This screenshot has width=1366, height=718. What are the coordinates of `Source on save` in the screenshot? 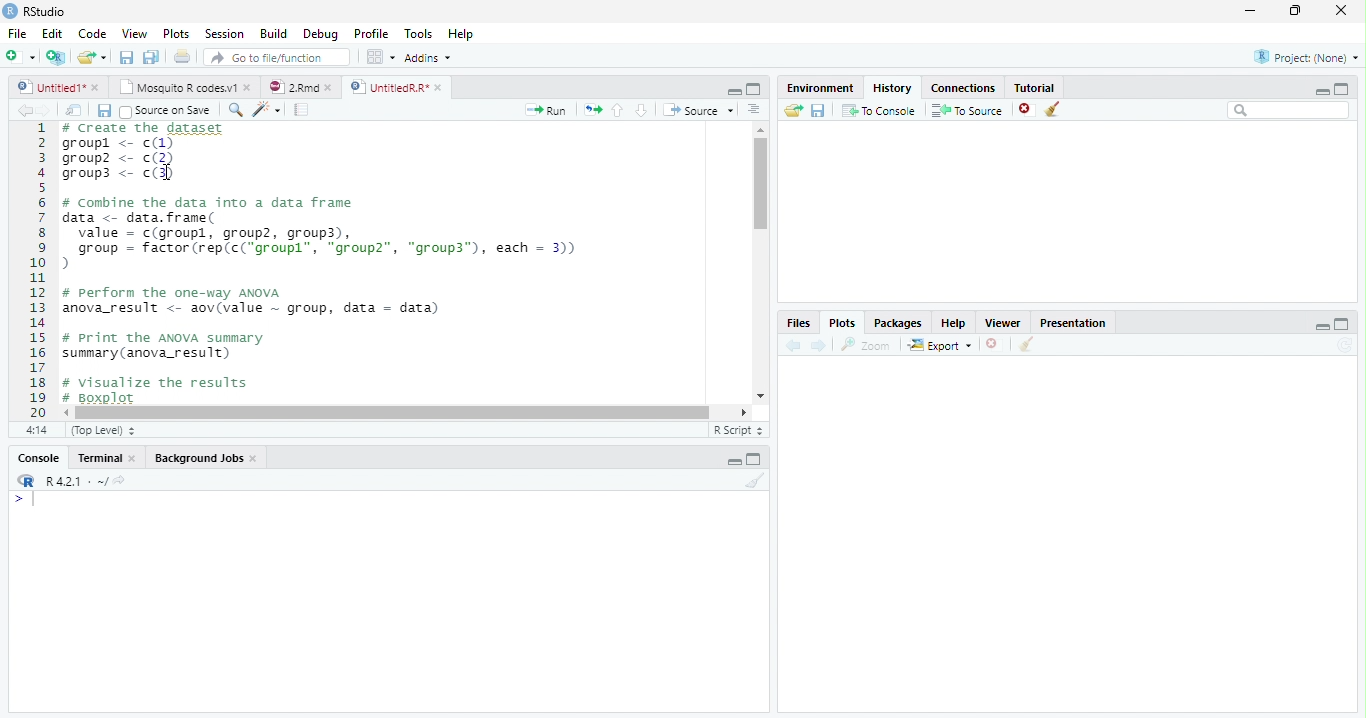 It's located at (169, 111).